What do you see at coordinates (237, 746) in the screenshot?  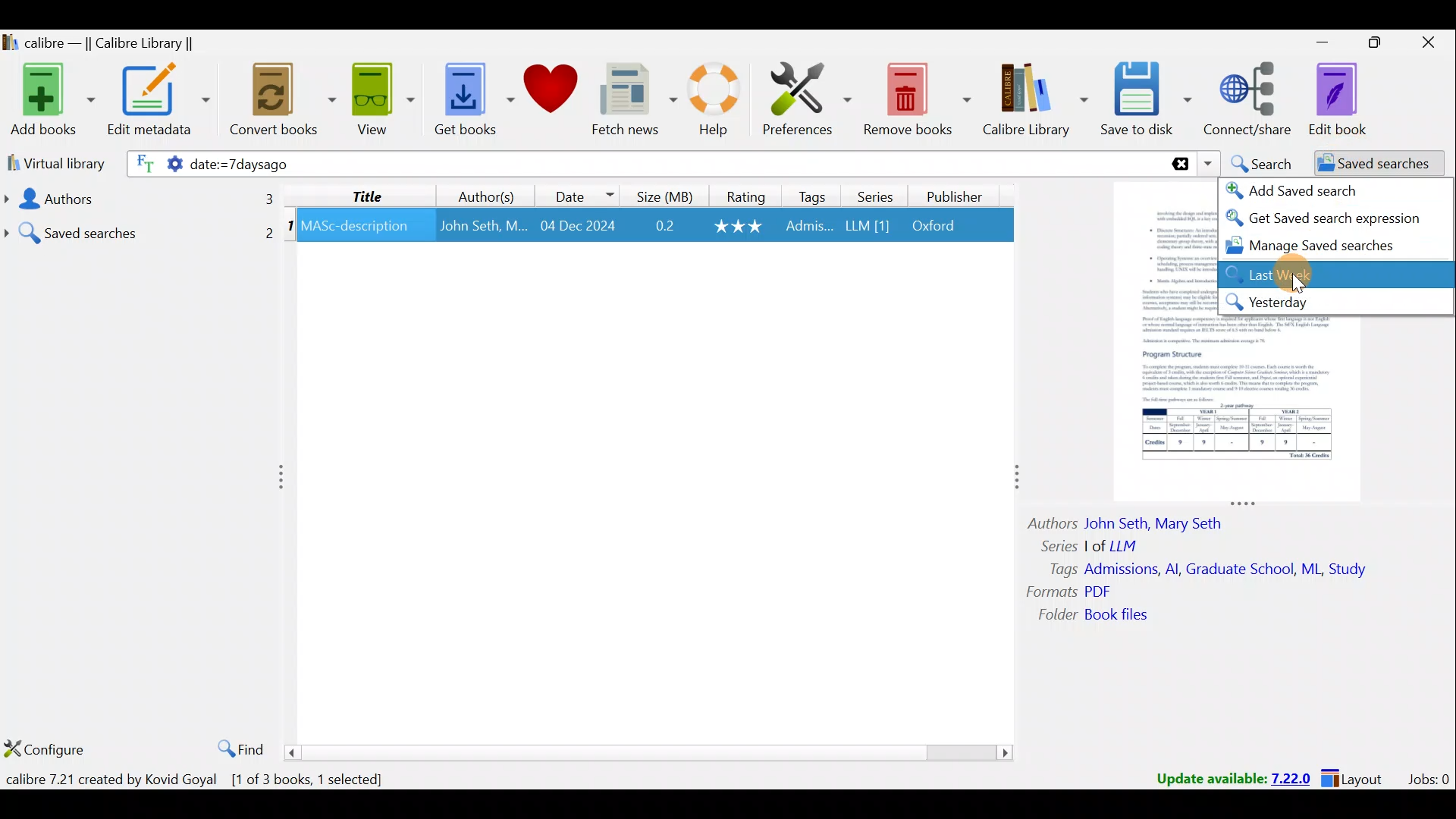 I see `Find` at bounding box center [237, 746].